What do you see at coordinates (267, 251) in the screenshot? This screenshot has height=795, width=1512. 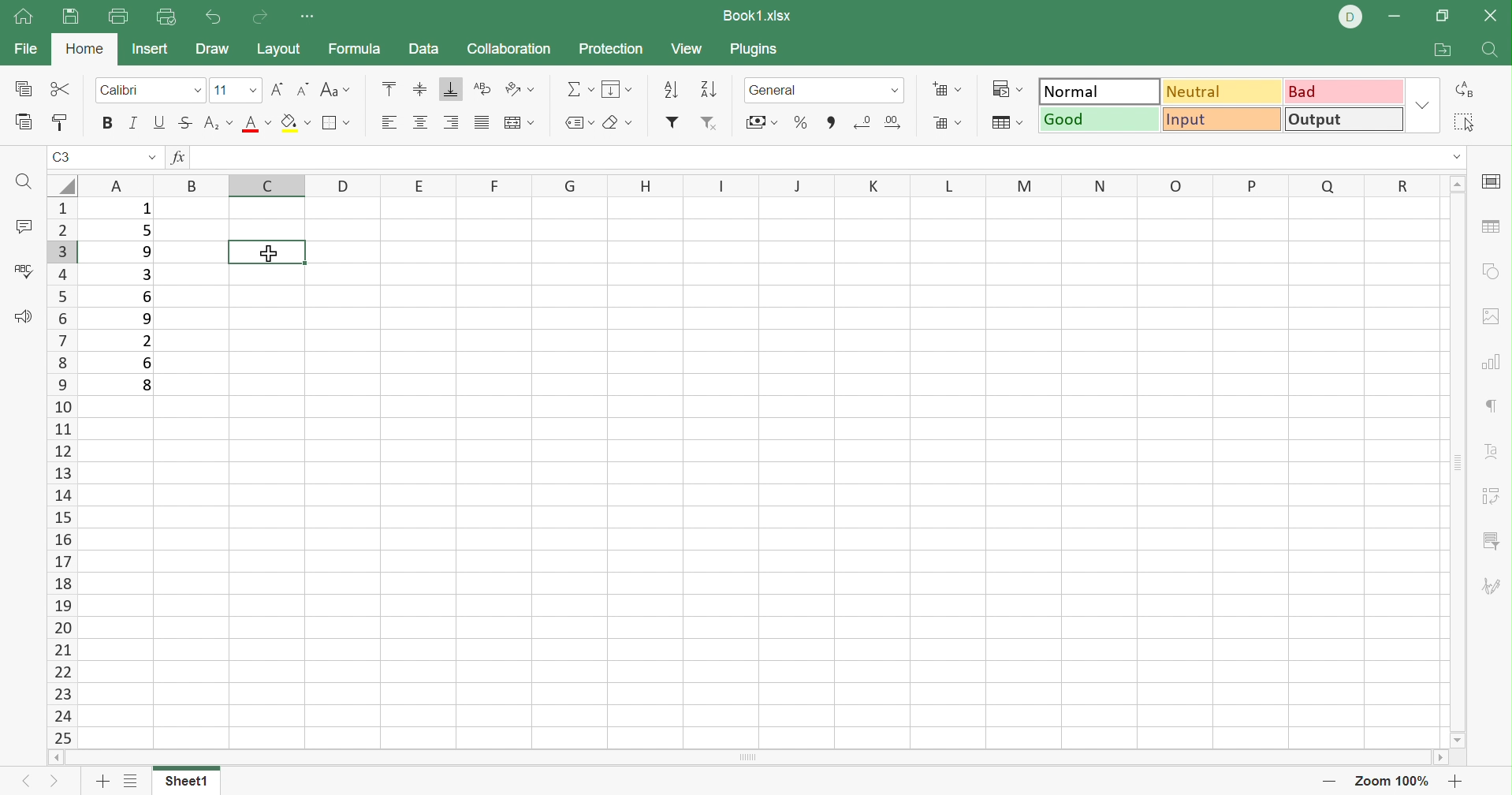 I see `Selected cell` at bounding box center [267, 251].